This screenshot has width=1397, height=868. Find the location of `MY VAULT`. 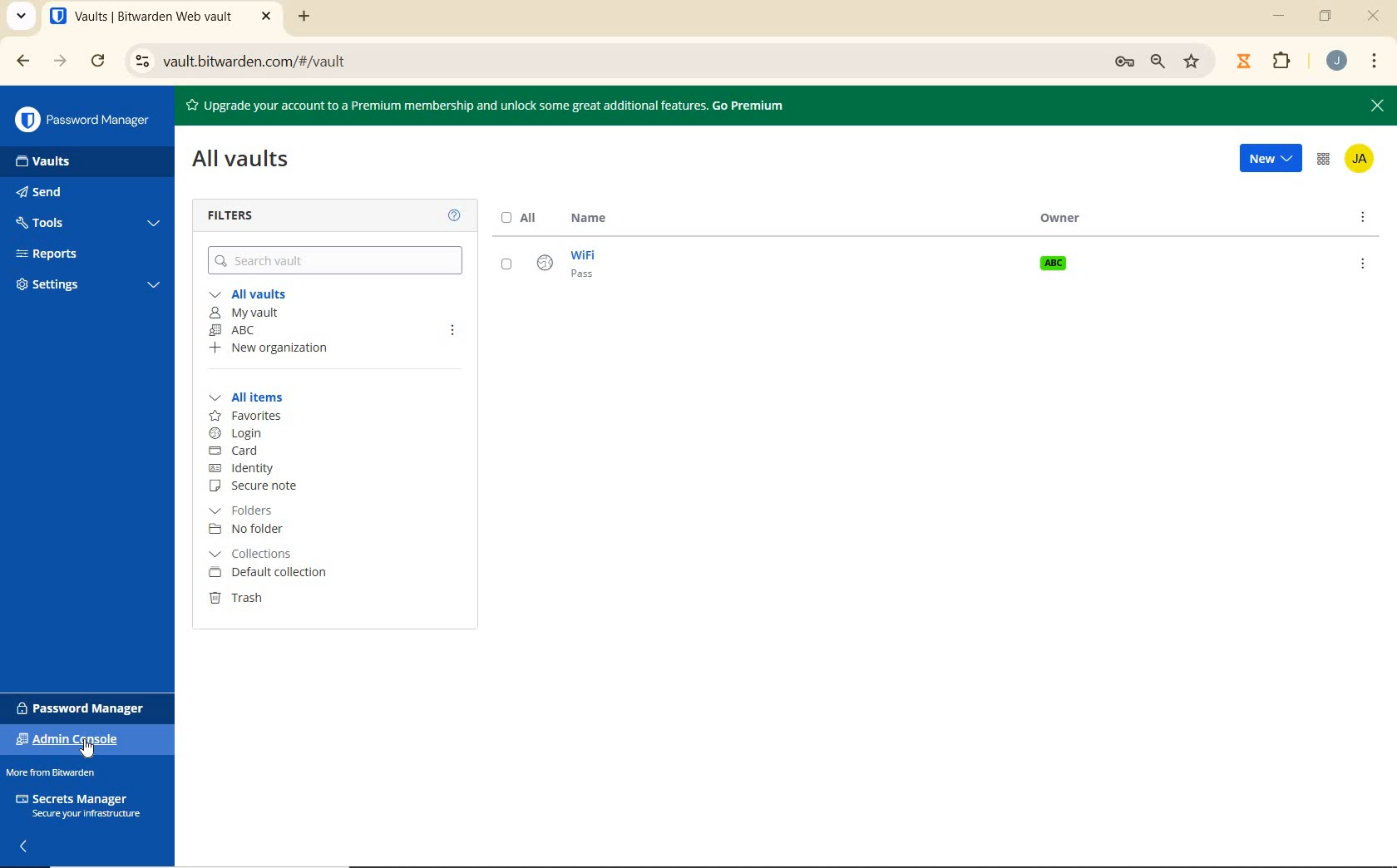

MY VAULT is located at coordinates (245, 313).